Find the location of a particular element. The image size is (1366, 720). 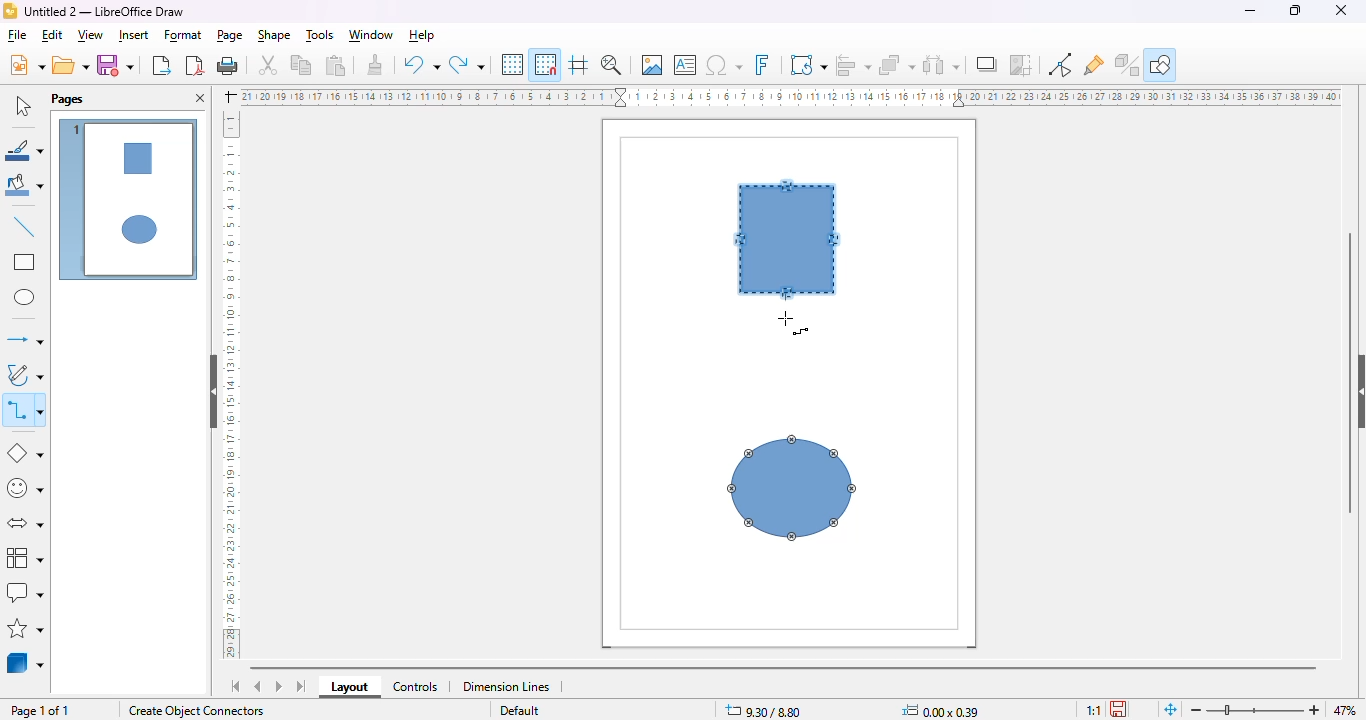

zoom & pan is located at coordinates (611, 64).